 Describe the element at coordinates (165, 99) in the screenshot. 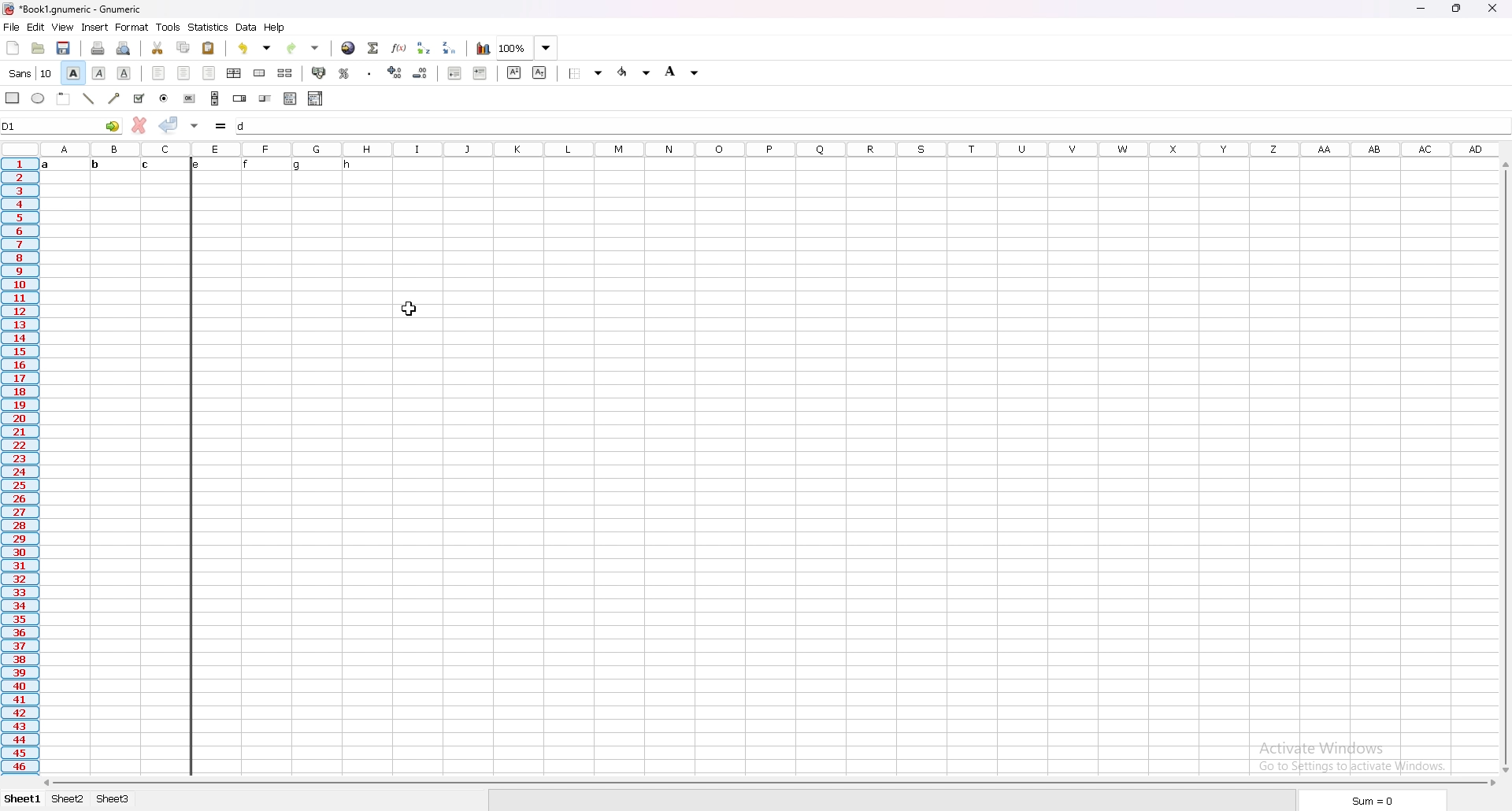

I see `radio button` at that location.